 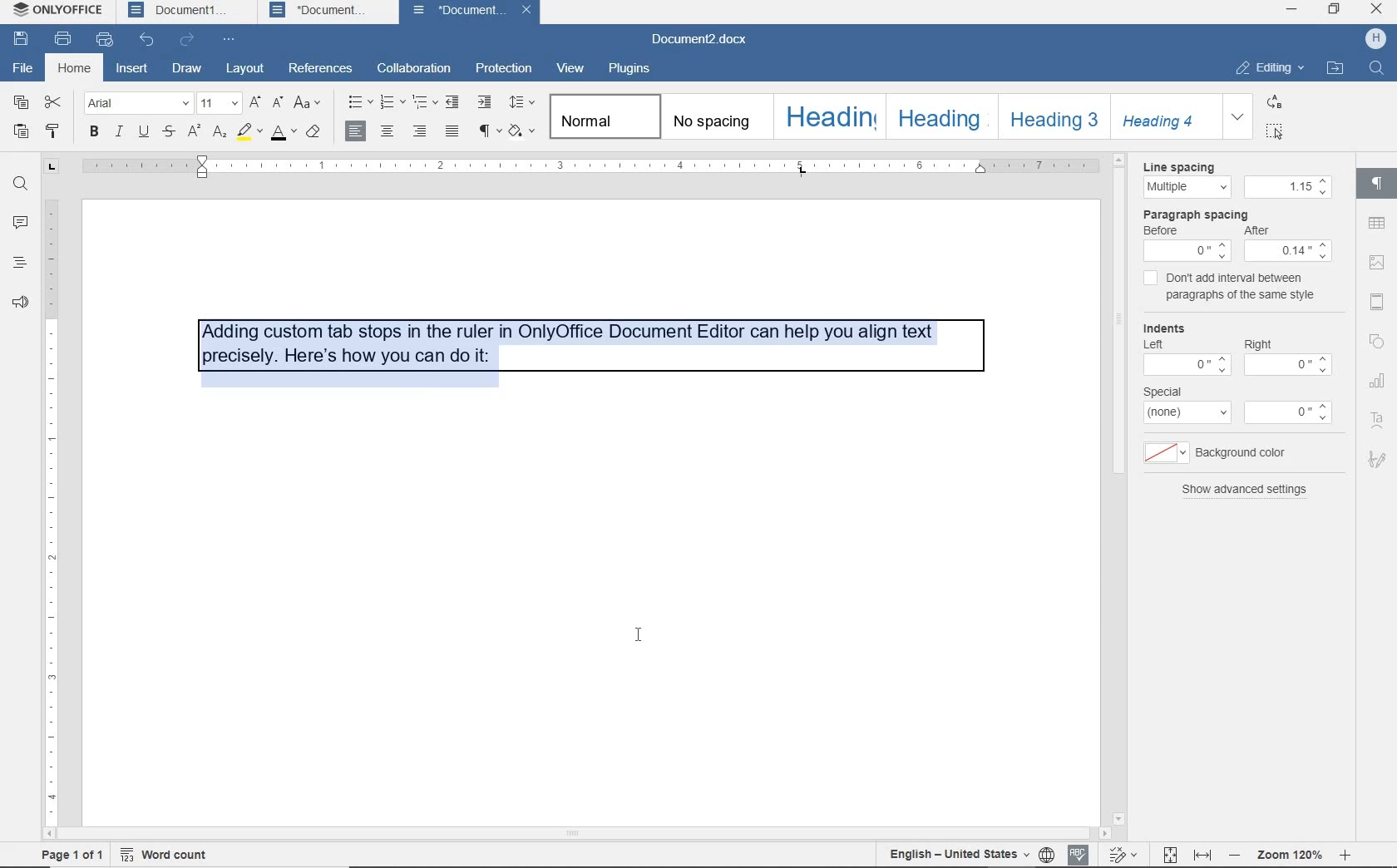 What do you see at coordinates (452, 104) in the screenshot?
I see `decrease indent` at bounding box center [452, 104].